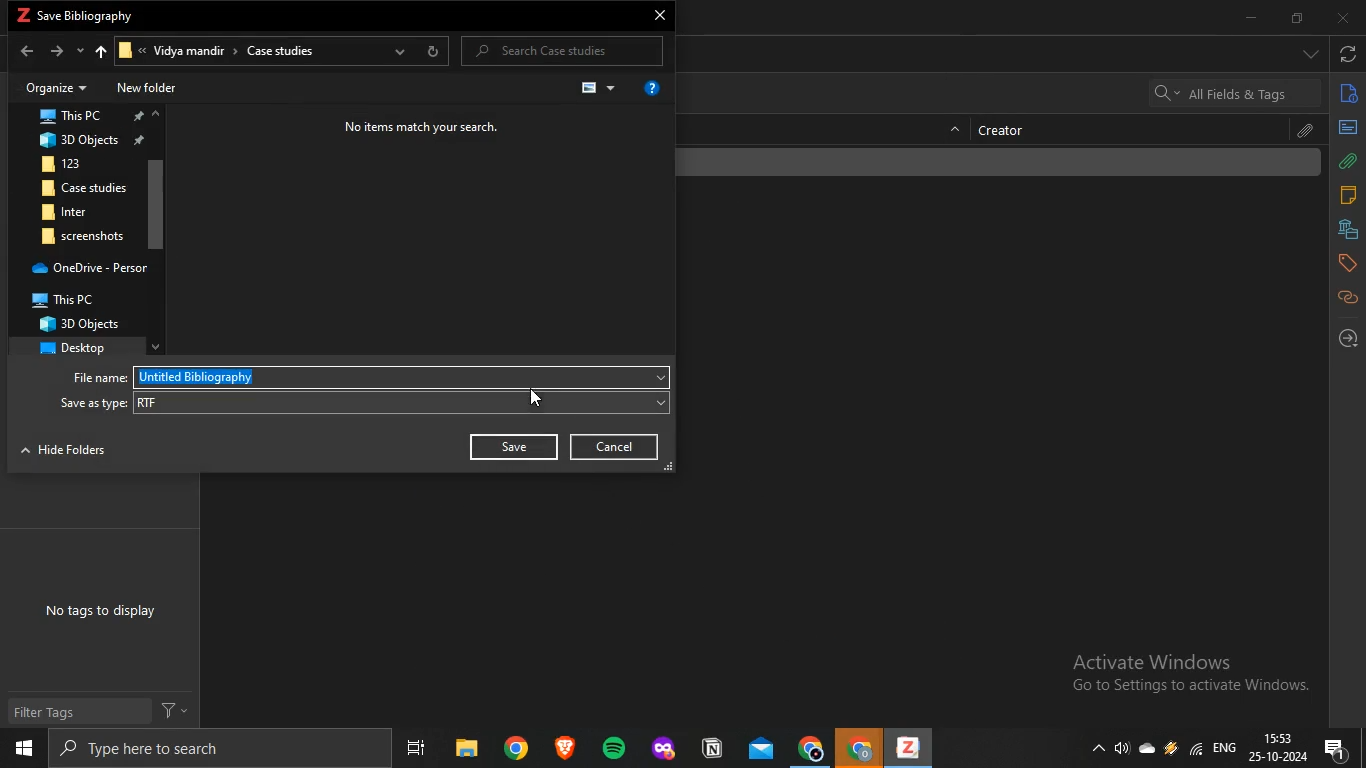 Image resolution: width=1366 pixels, height=768 pixels. Describe the element at coordinates (609, 746) in the screenshot. I see `spotify` at that location.